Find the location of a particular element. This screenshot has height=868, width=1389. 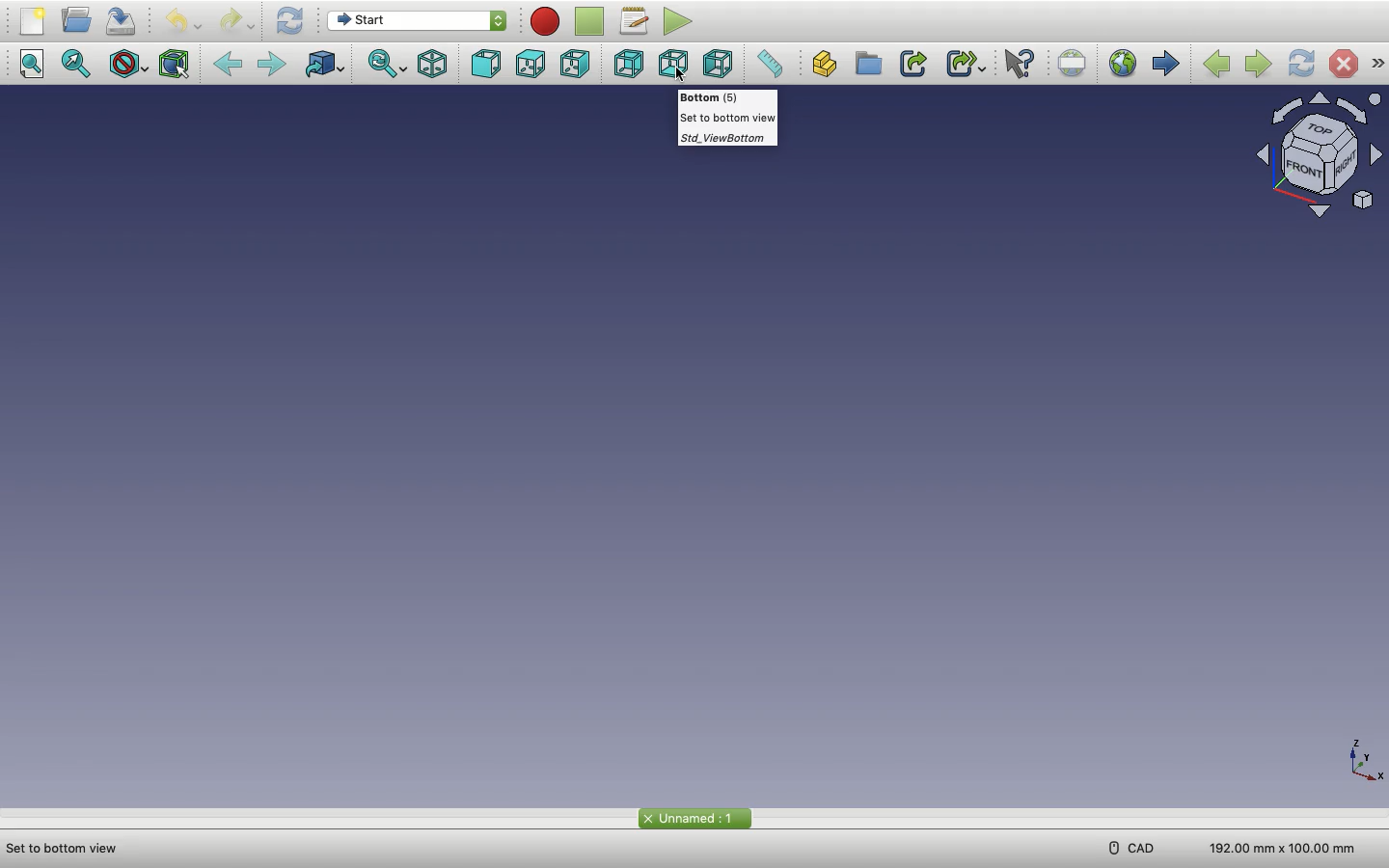

Set URL is located at coordinates (1074, 63).